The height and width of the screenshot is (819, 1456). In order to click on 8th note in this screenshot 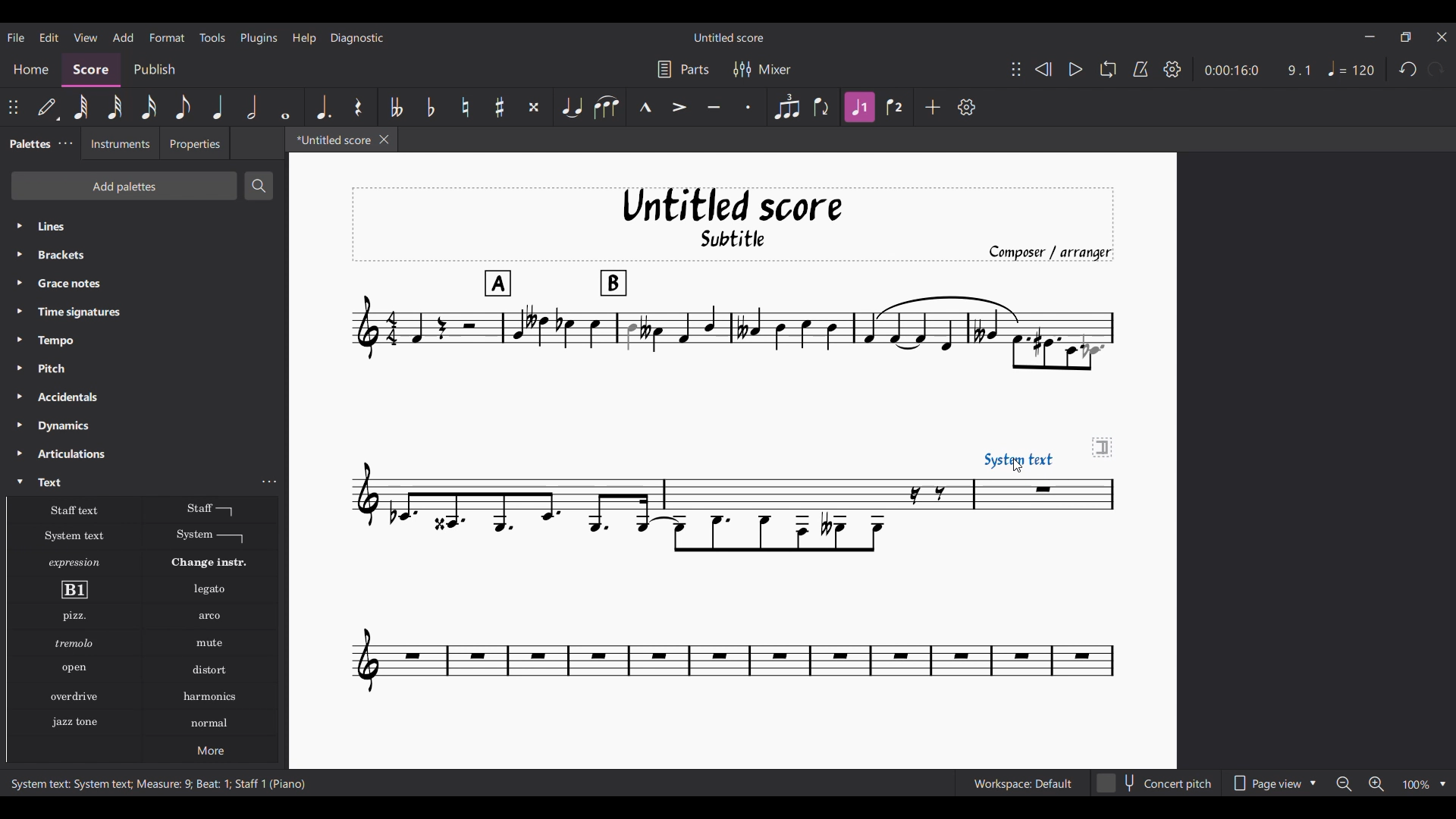, I will do `click(183, 107)`.